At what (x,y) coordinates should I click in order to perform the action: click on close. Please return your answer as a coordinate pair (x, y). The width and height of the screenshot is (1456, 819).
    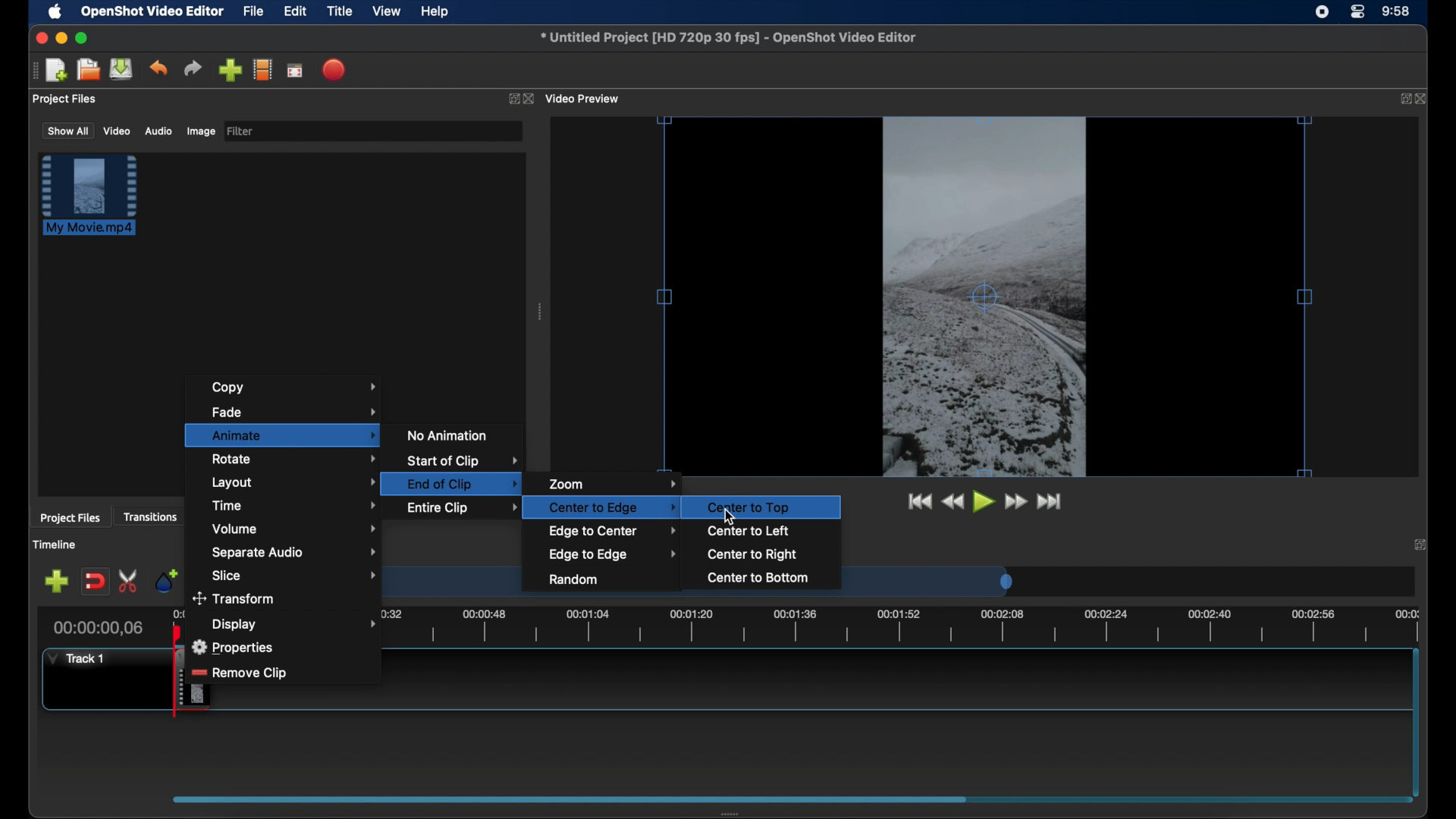
    Looking at the image, I should click on (39, 38).